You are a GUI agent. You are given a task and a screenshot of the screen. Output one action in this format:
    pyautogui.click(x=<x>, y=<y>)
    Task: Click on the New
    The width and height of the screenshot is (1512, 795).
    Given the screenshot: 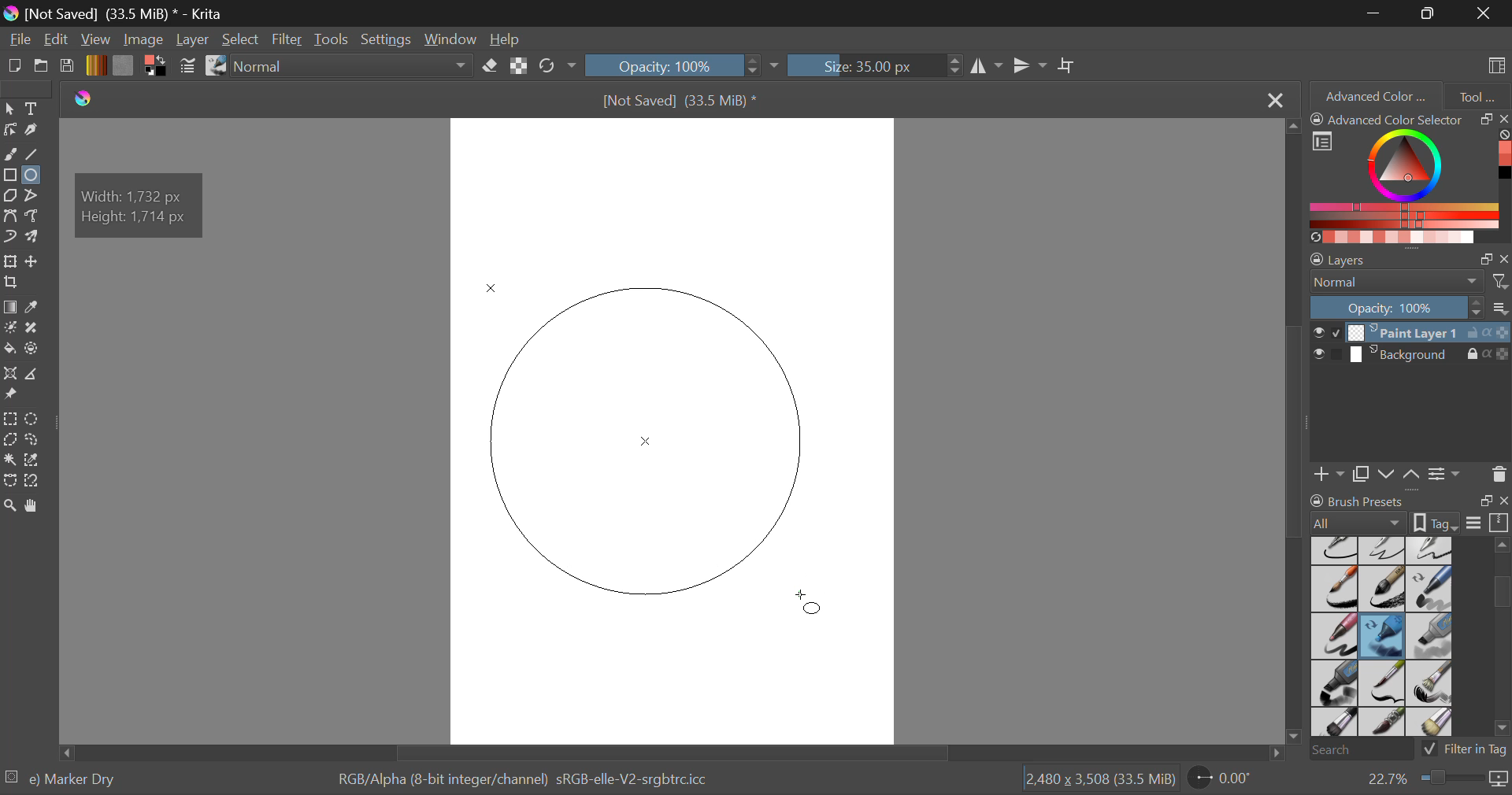 What is the action you would take?
    pyautogui.click(x=15, y=68)
    